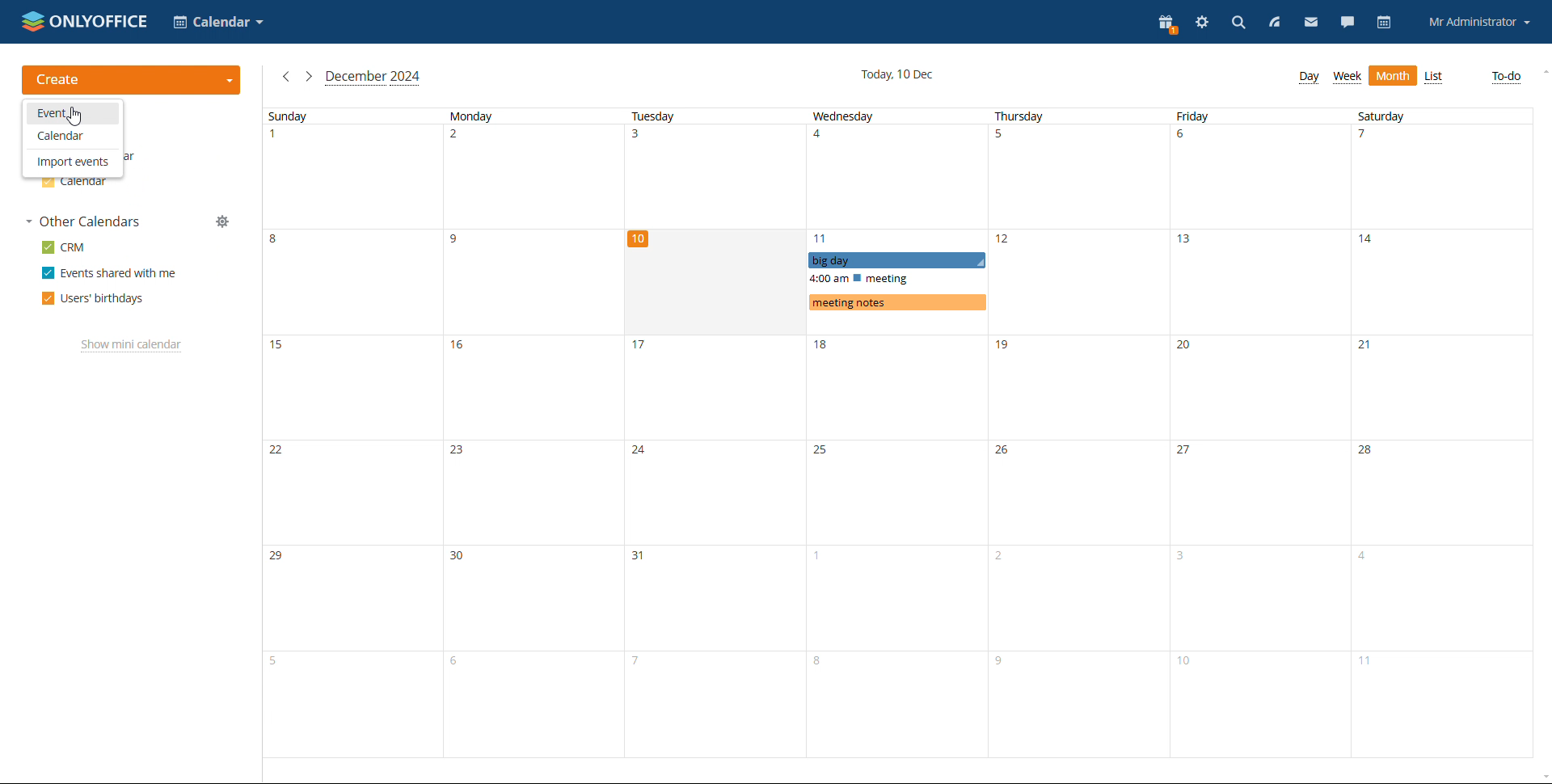 The width and height of the screenshot is (1552, 784). Describe the element at coordinates (72, 162) in the screenshot. I see `import events` at that location.